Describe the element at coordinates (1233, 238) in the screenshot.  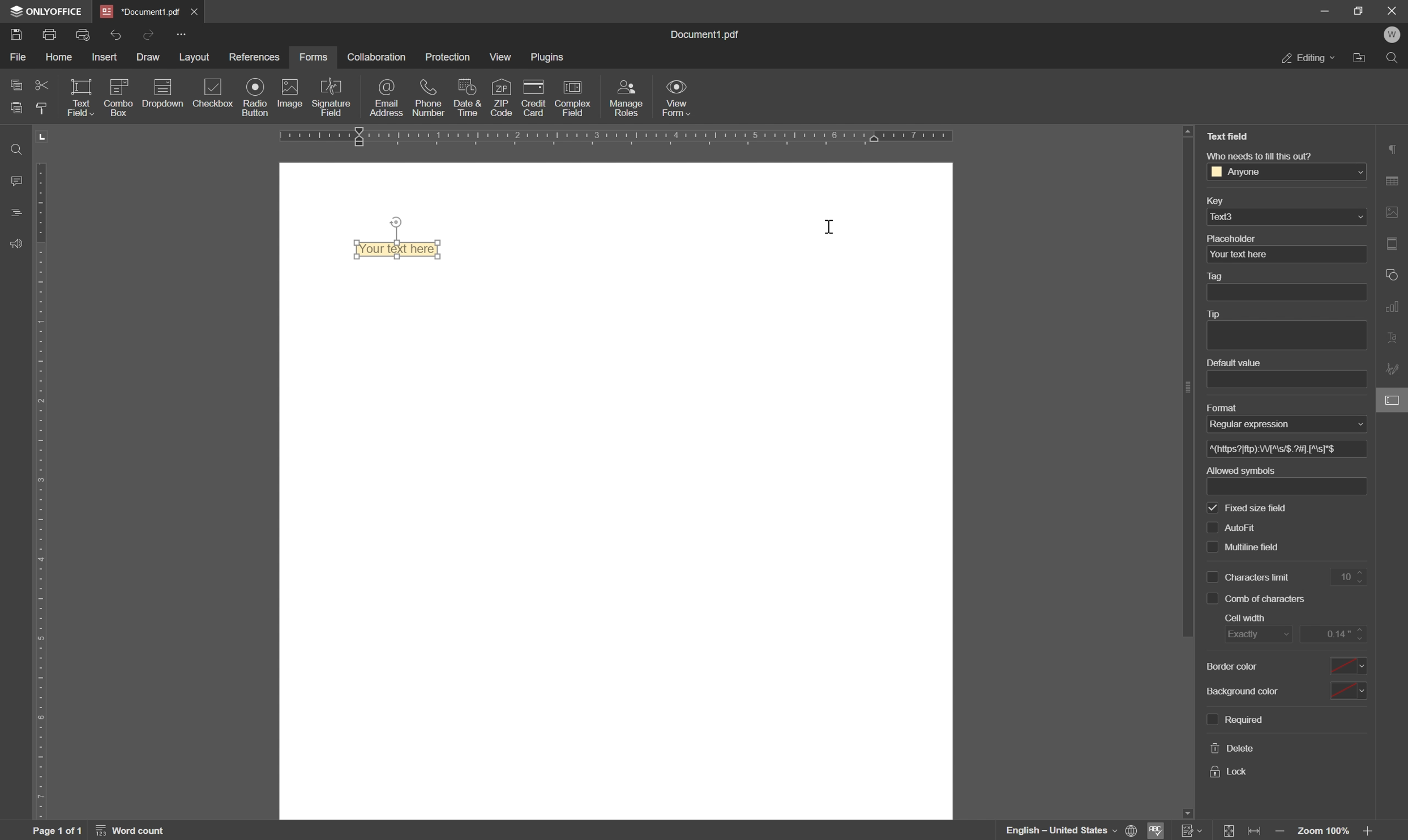
I see `placeholder` at that location.